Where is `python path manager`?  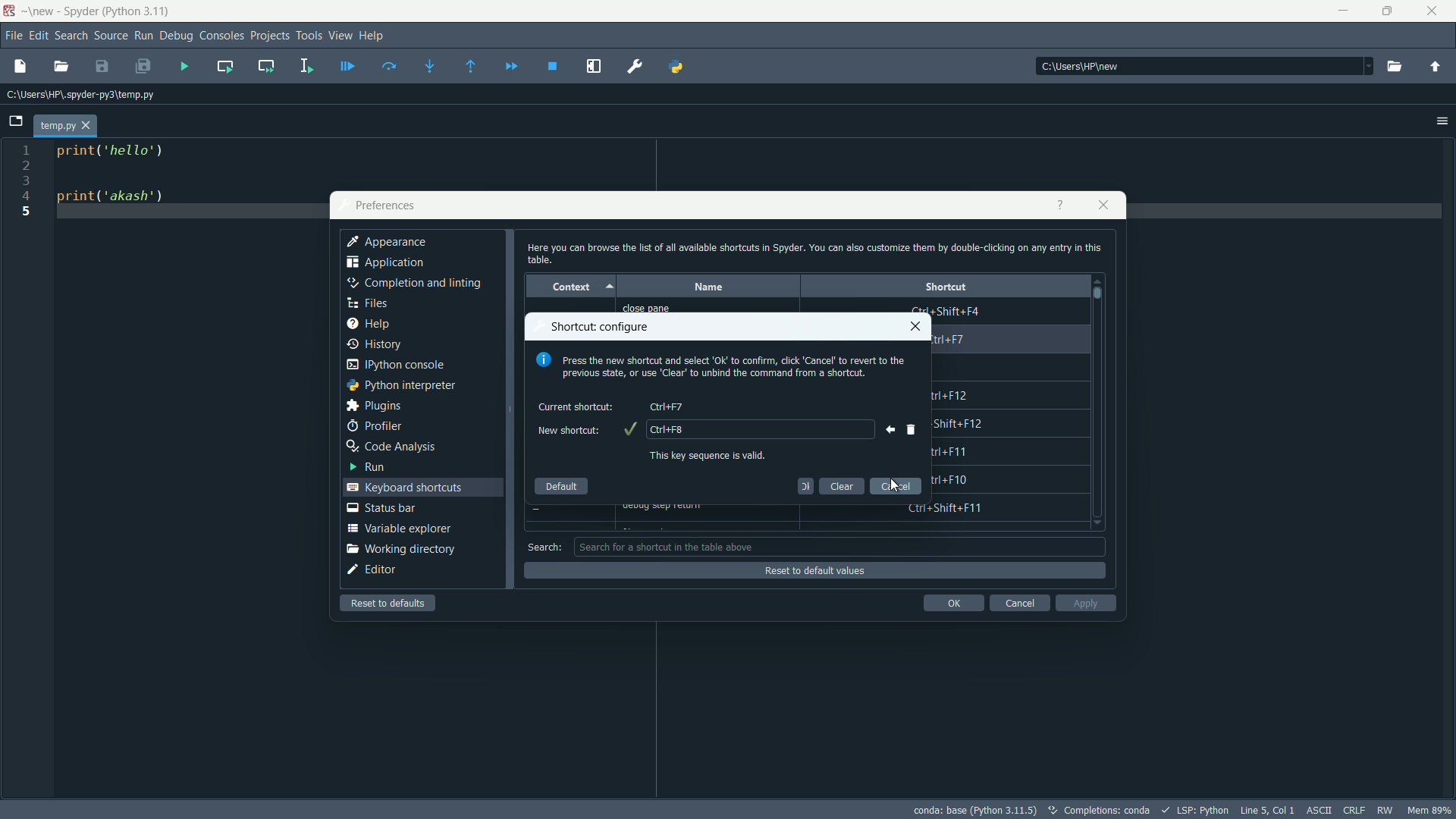 python path manager is located at coordinates (677, 65).